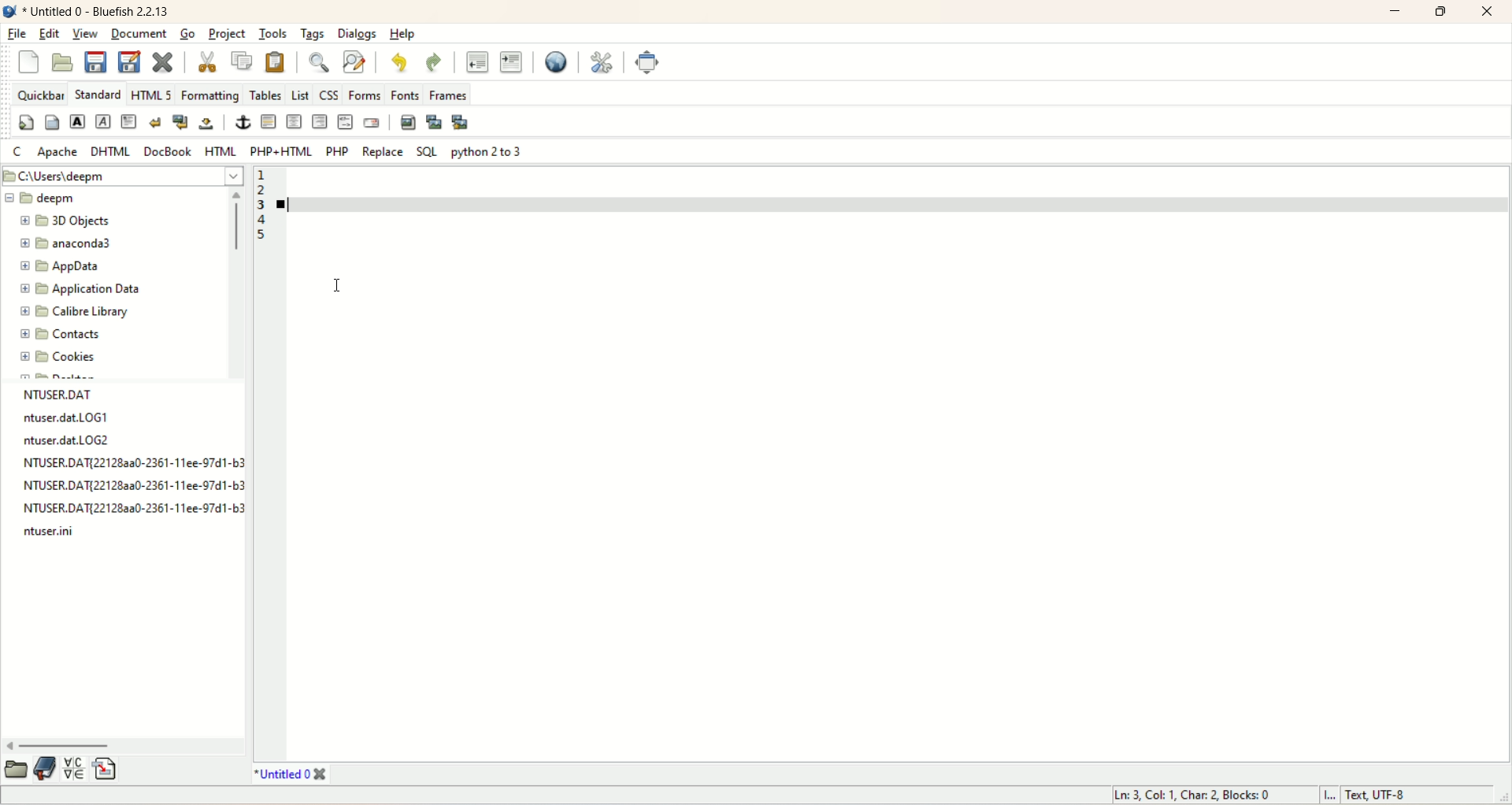  What do you see at coordinates (130, 121) in the screenshot?
I see `paragraph` at bounding box center [130, 121].